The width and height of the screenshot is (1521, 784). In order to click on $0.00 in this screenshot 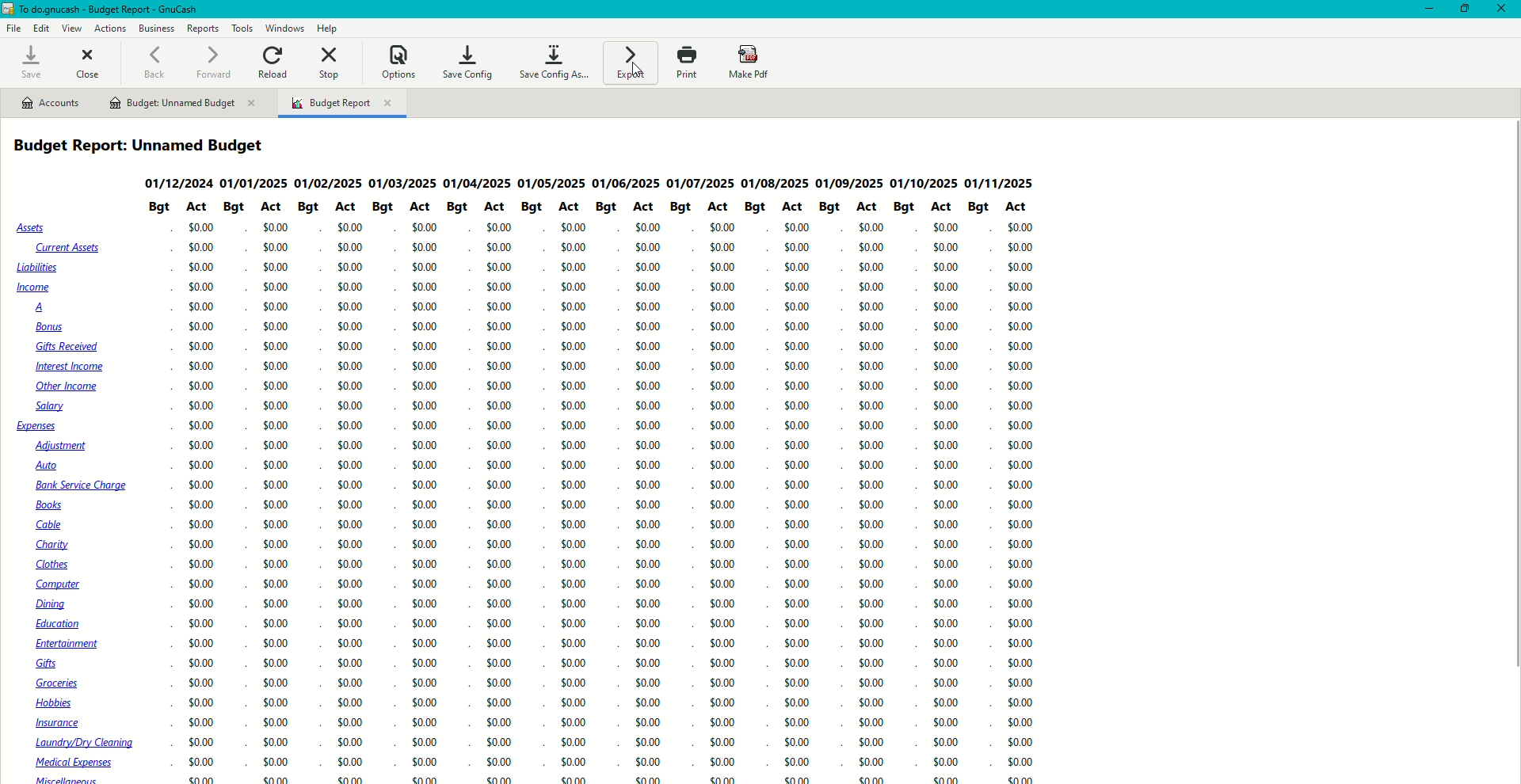, I will do `click(426, 386)`.